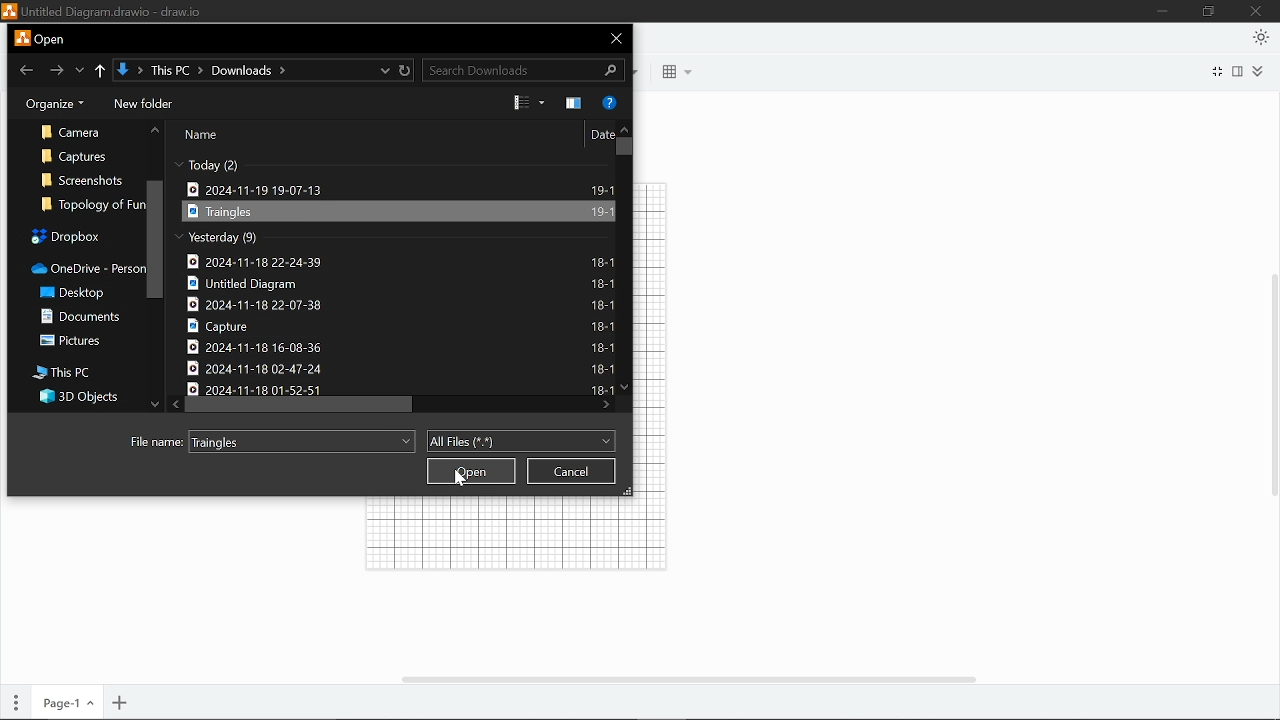 This screenshot has height=720, width=1280. What do you see at coordinates (1259, 12) in the screenshot?
I see `Close` at bounding box center [1259, 12].